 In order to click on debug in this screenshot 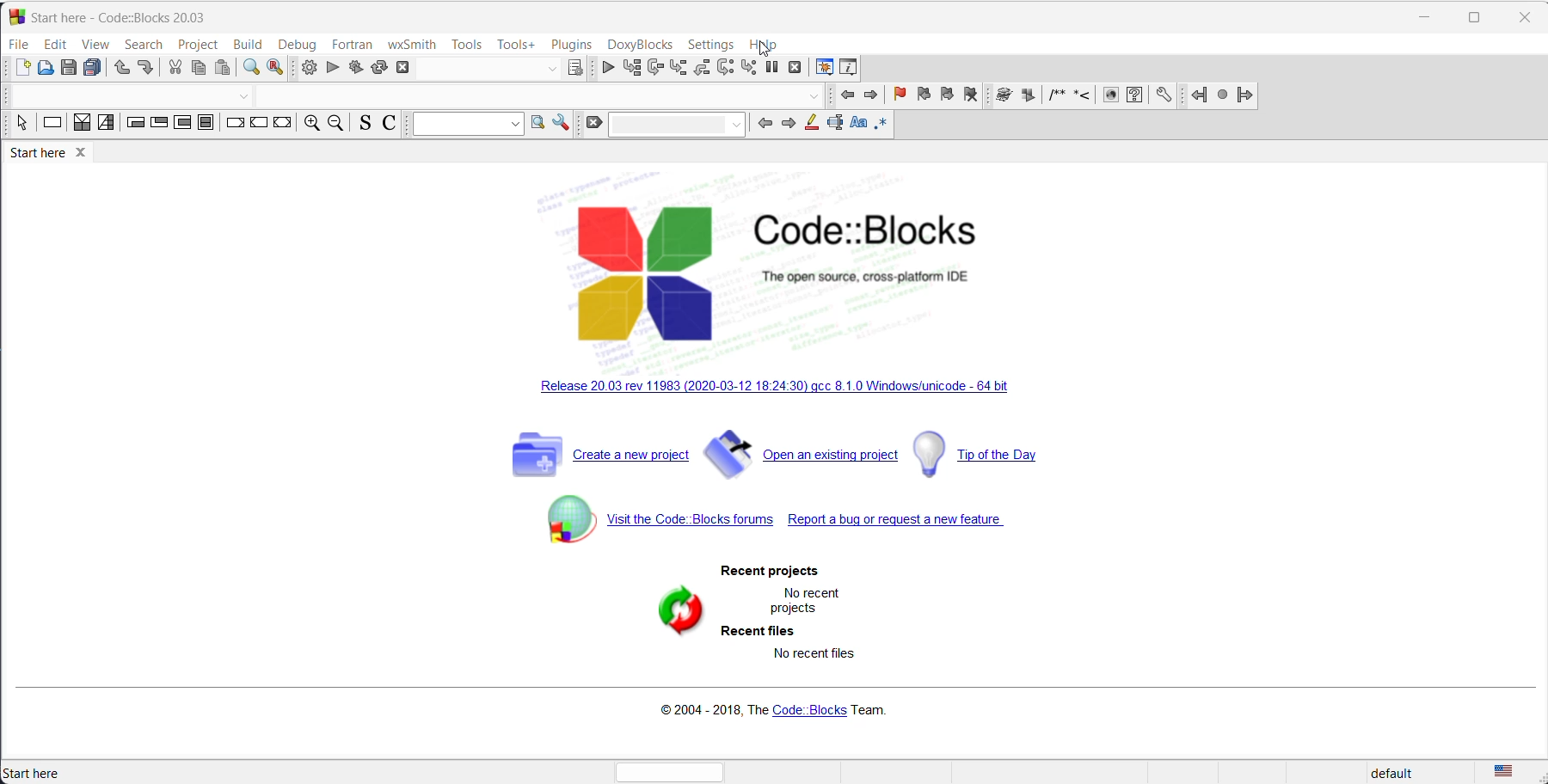, I will do `click(298, 44)`.